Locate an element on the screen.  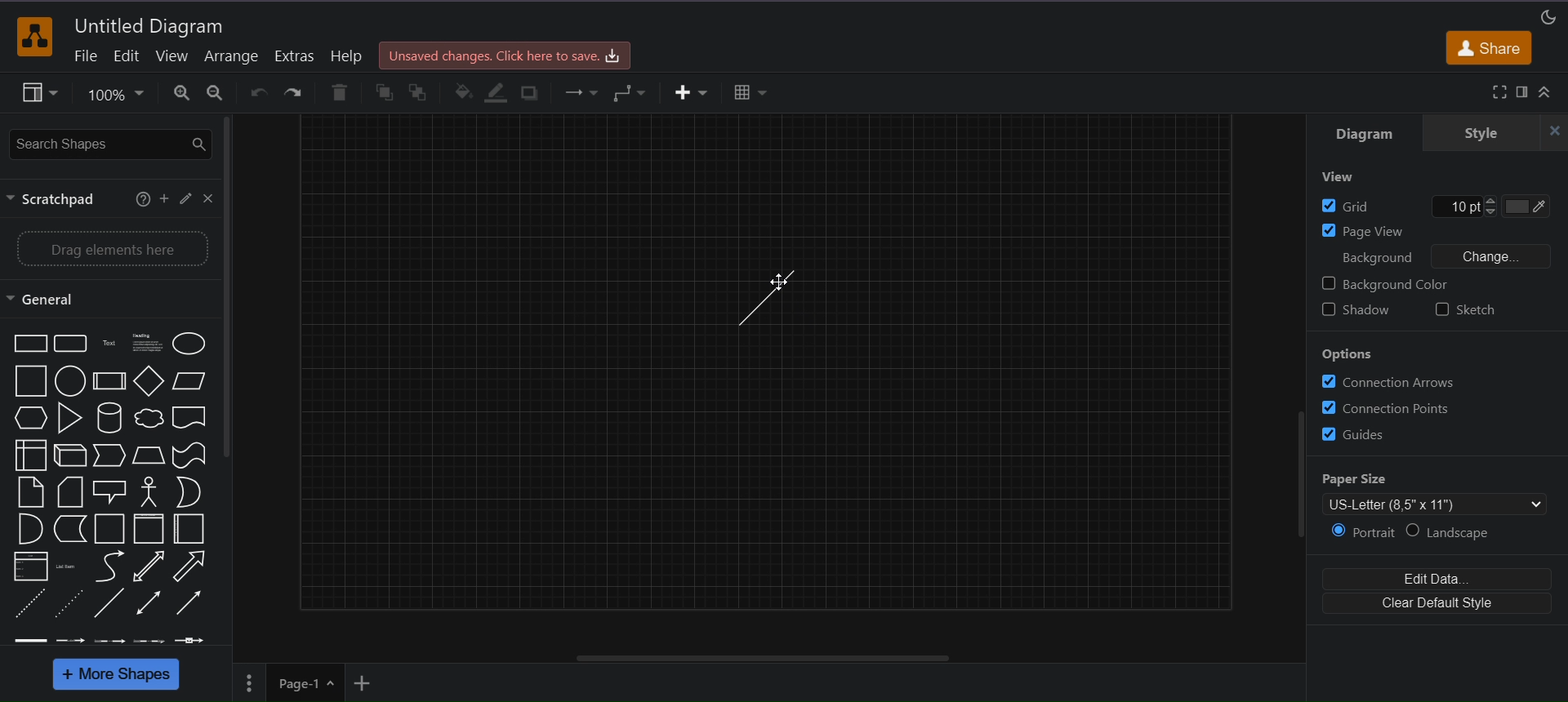
logo is located at coordinates (33, 36).